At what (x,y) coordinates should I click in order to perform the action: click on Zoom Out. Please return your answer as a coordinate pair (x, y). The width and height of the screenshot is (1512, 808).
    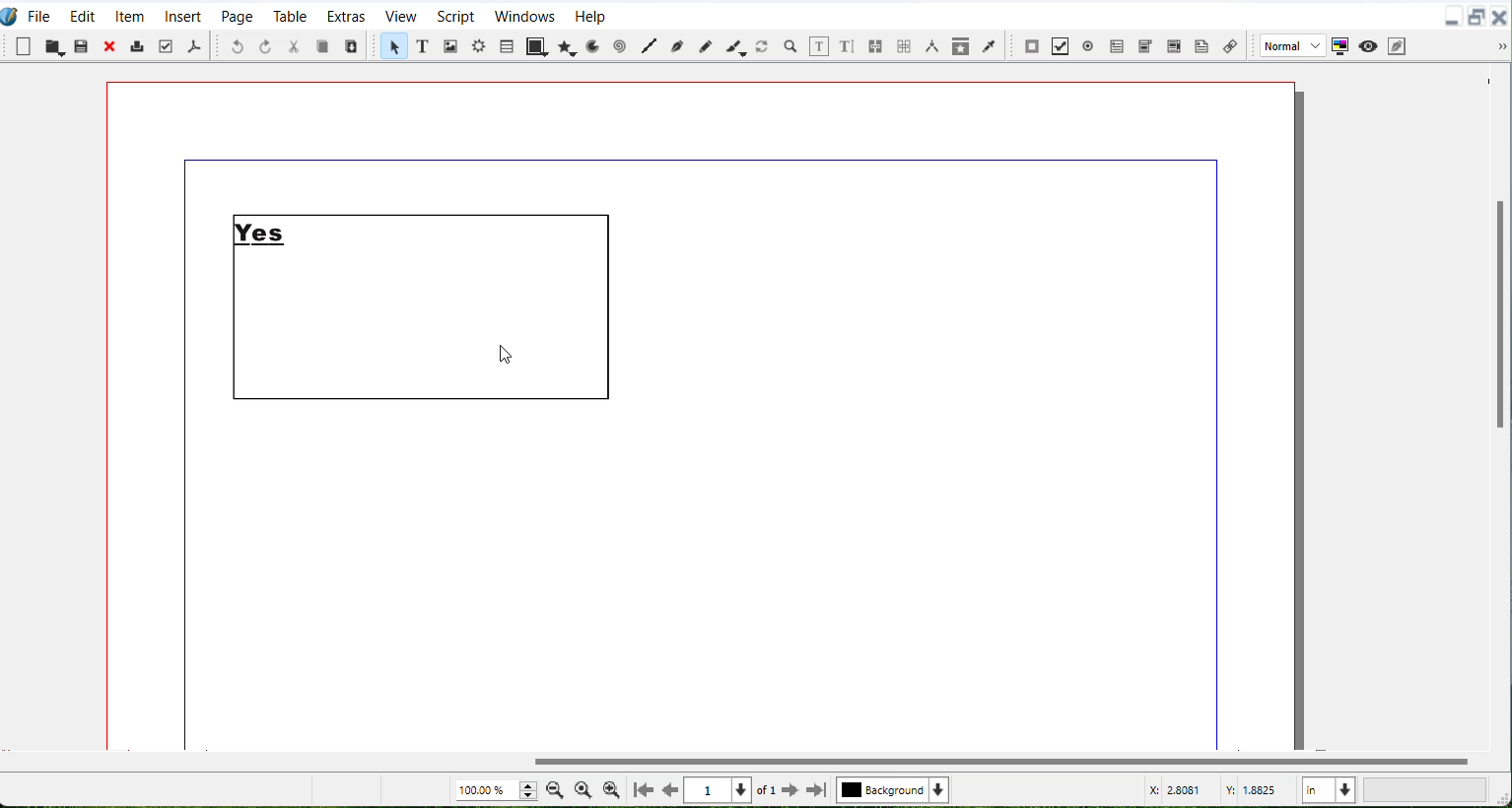
    Looking at the image, I should click on (555, 789).